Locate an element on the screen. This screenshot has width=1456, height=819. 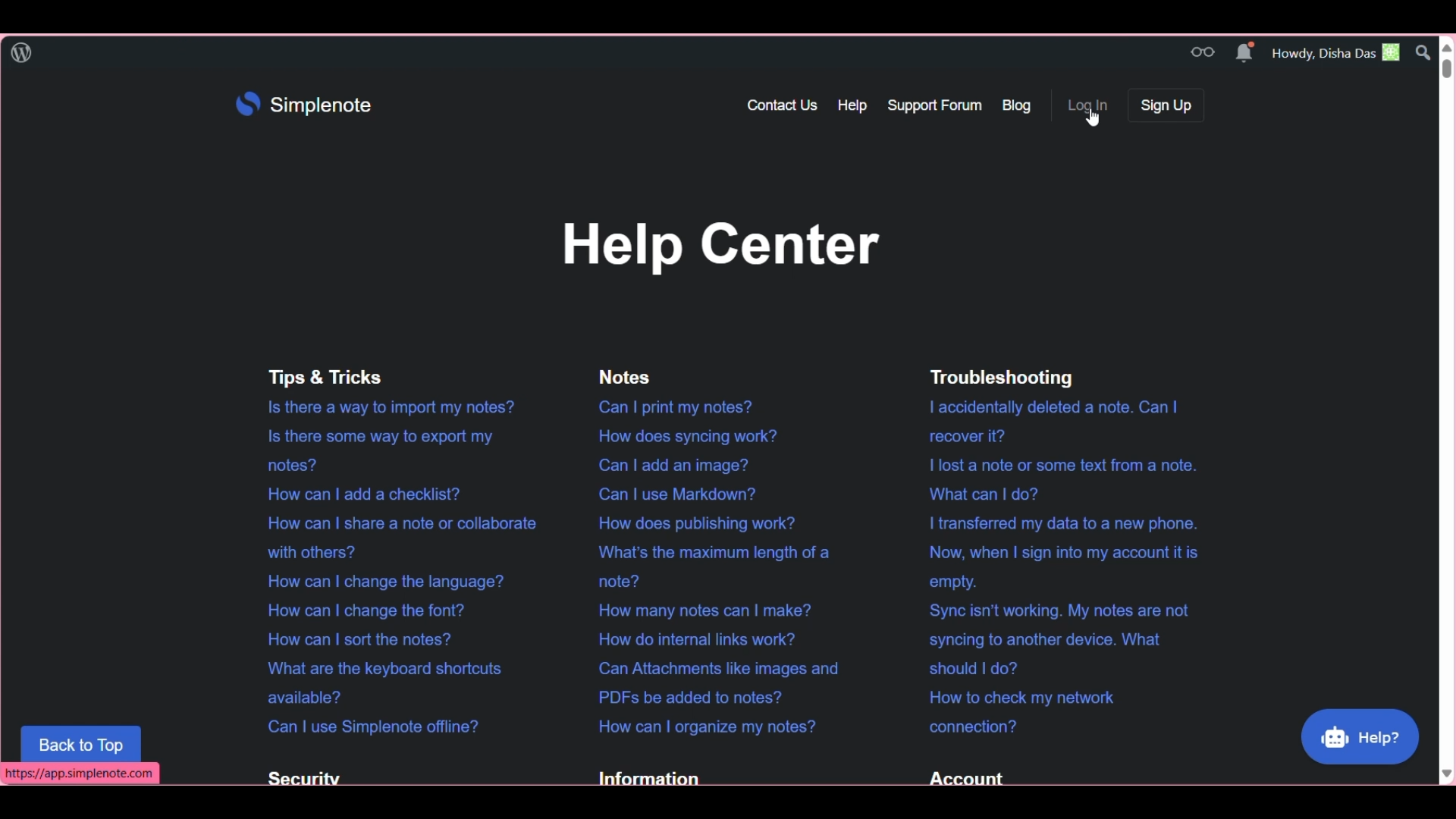
Can | use Simplenote offline? is located at coordinates (366, 727).